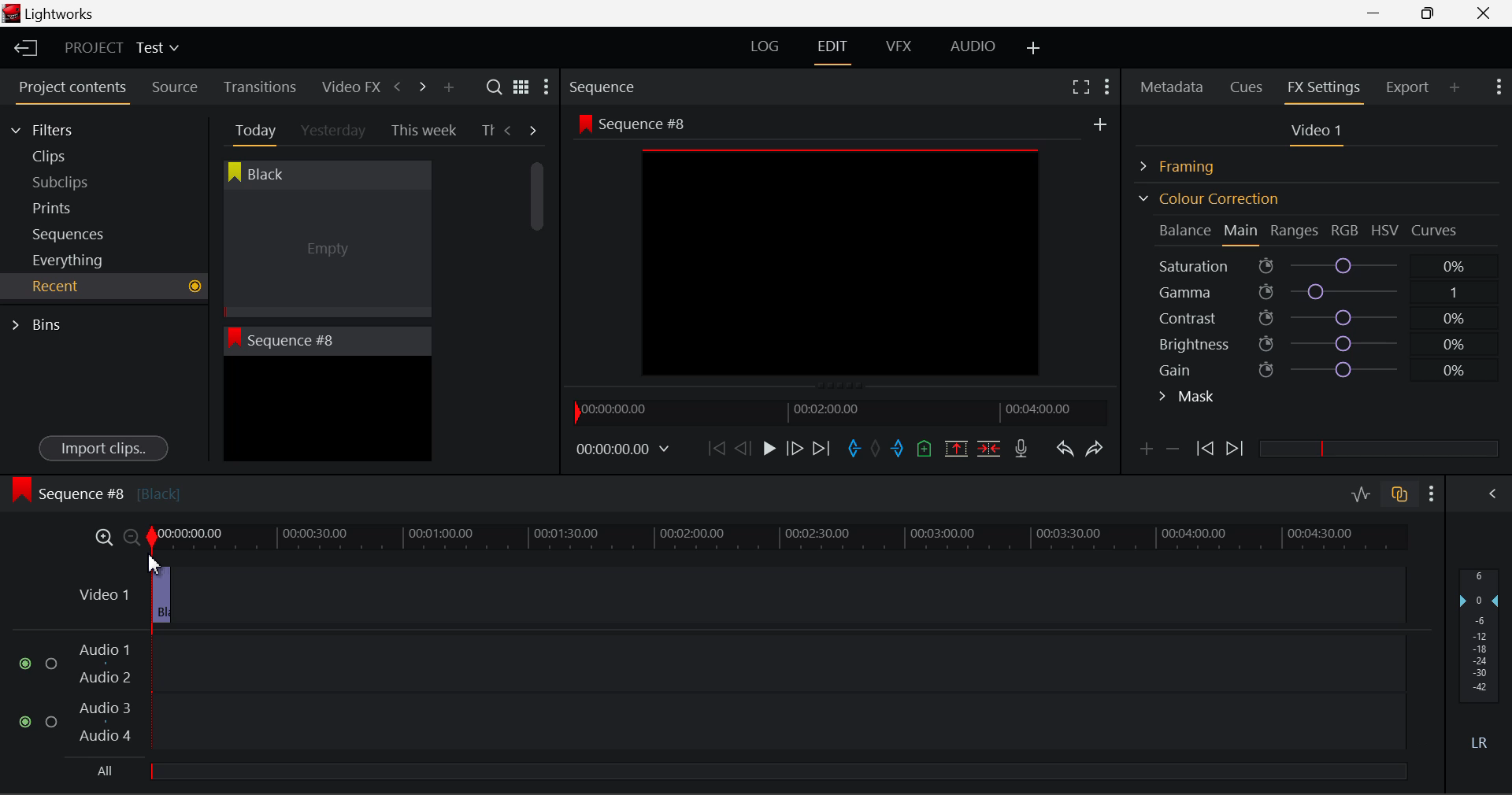 The image size is (1512, 795). I want to click on HSV, so click(1385, 230).